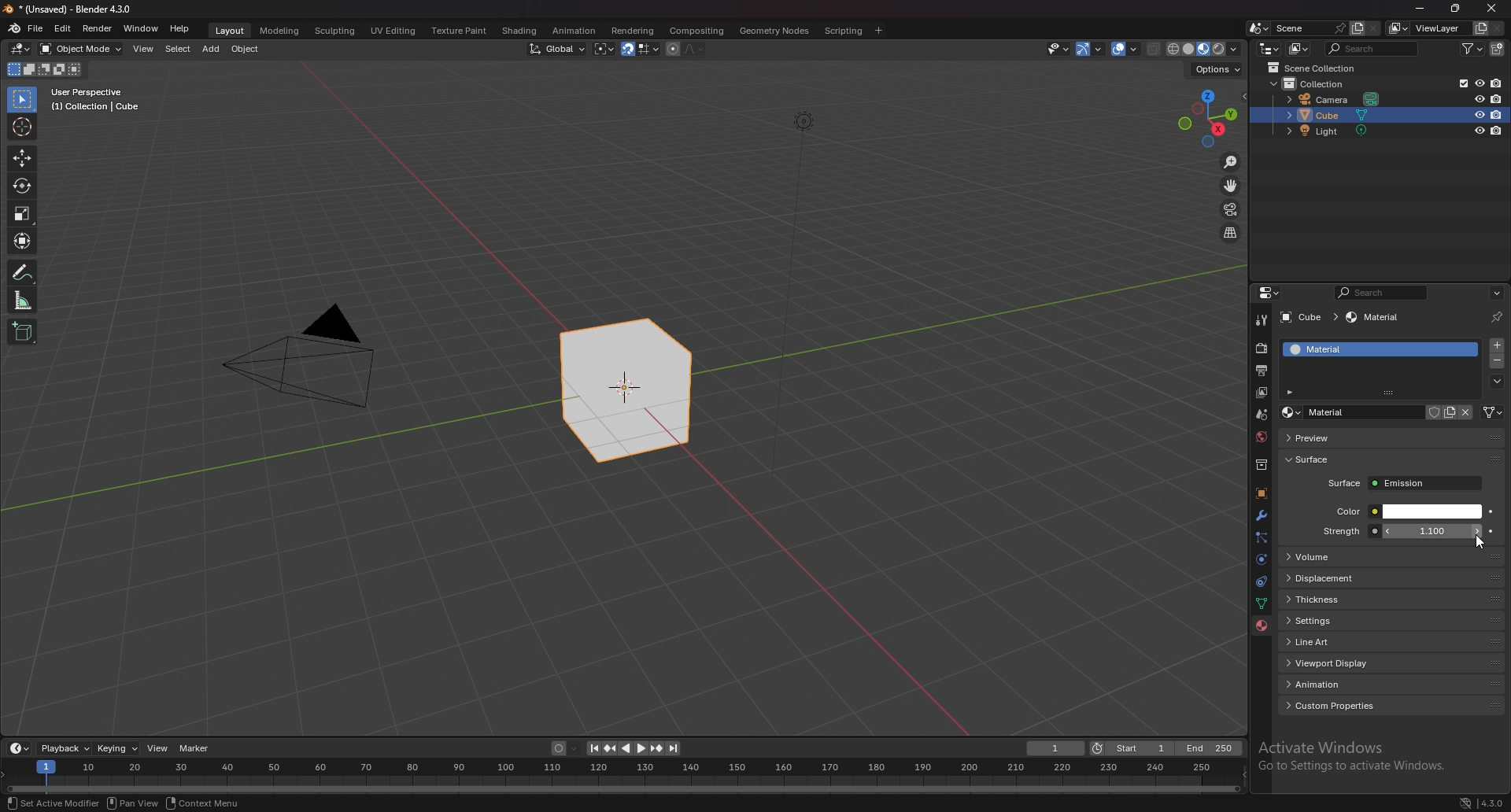  What do you see at coordinates (1261, 560) in the screenshot?
I see `physics` at bounding box center [1261, 560].